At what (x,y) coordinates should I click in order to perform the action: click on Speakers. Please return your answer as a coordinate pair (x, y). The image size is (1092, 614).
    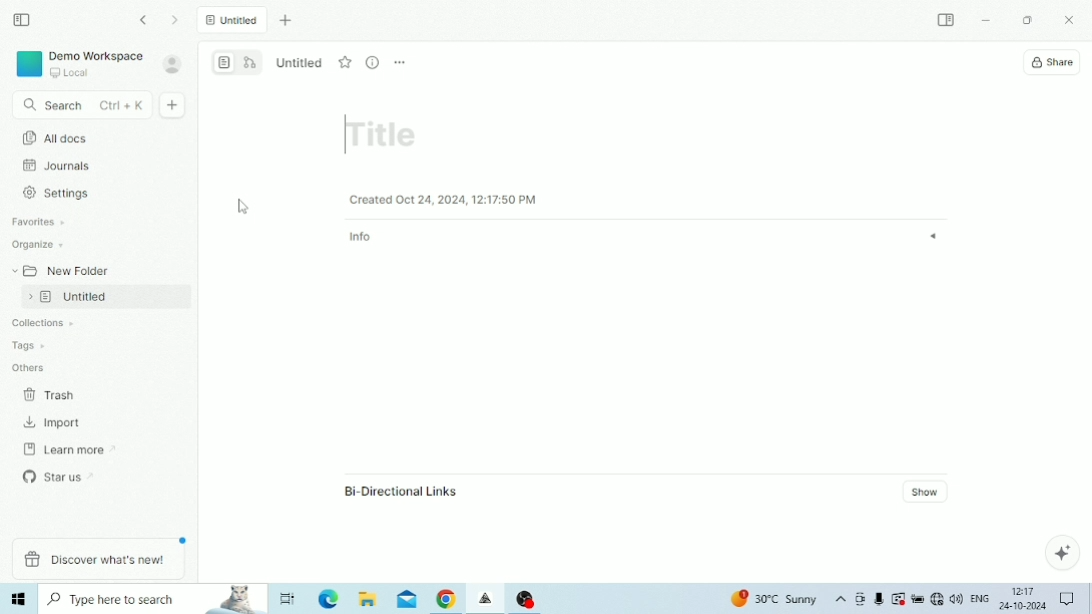
    Looking at the image, I should click on (956, 597).